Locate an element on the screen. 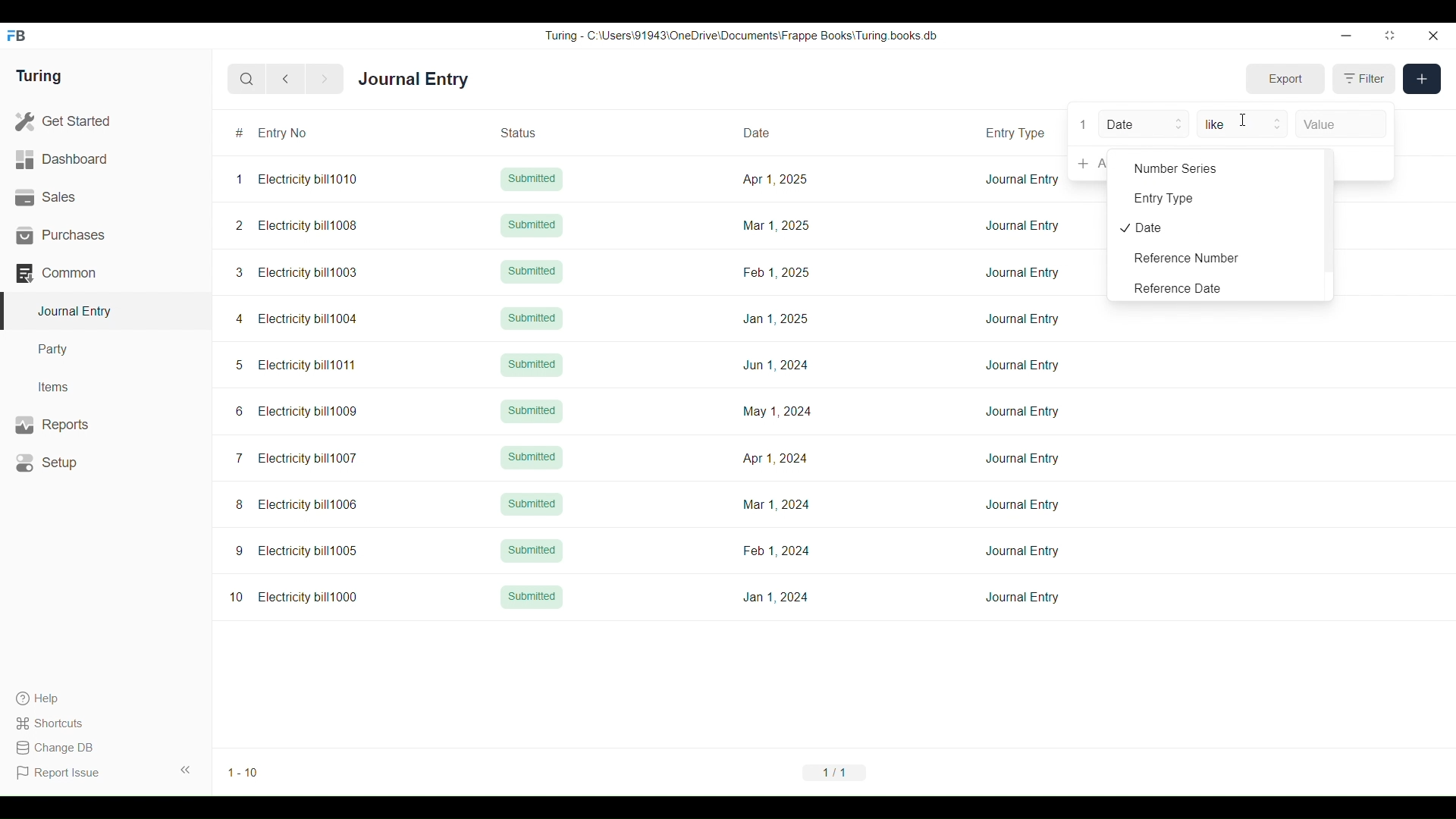  Minimize is located at coordinates (1347, 36).